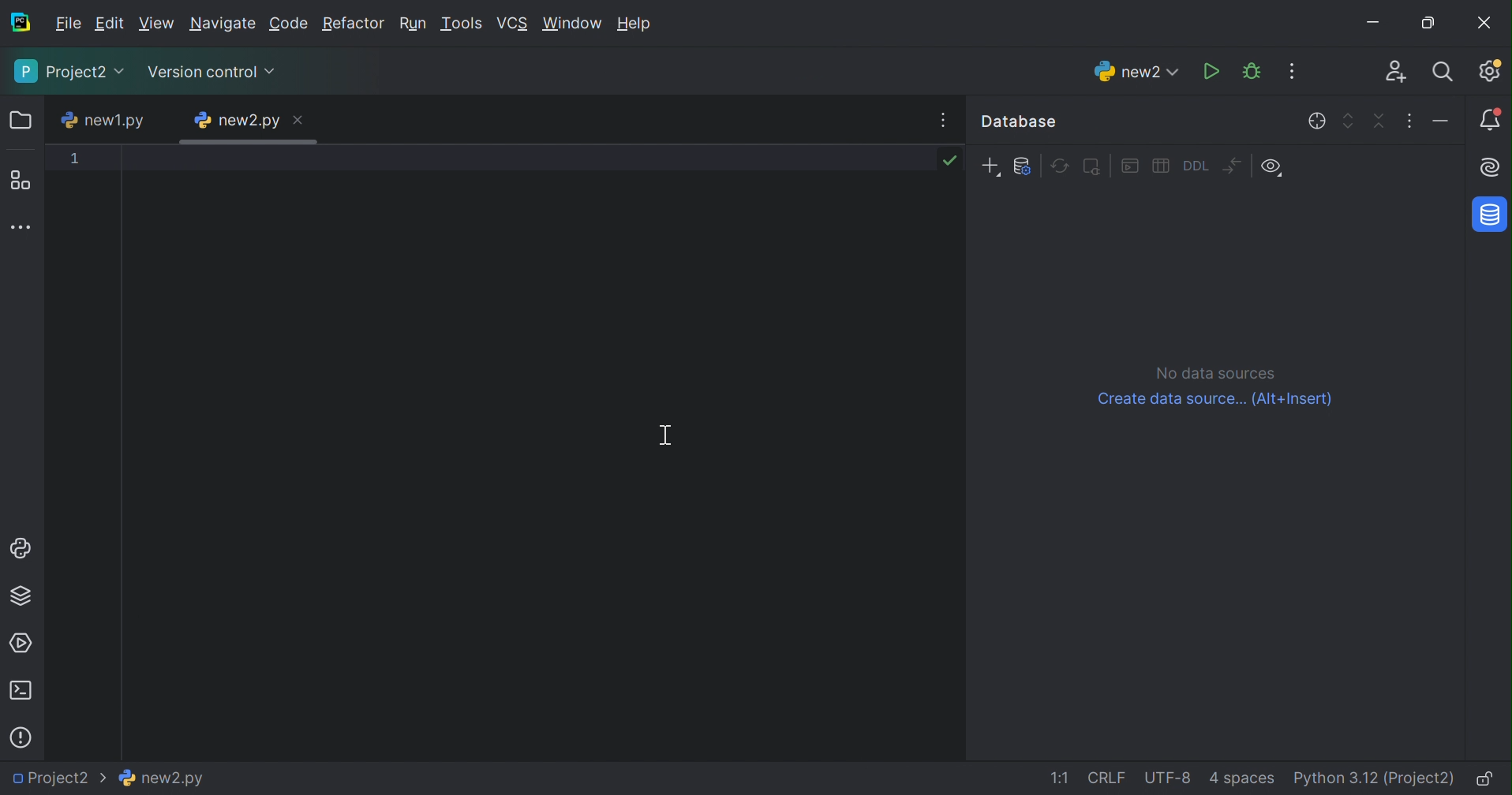 This screenshot has height=795, width=1512. What do you see at coordinates (74, 158) in the screenshot?
I see `1` at bounding box center [74, 158].